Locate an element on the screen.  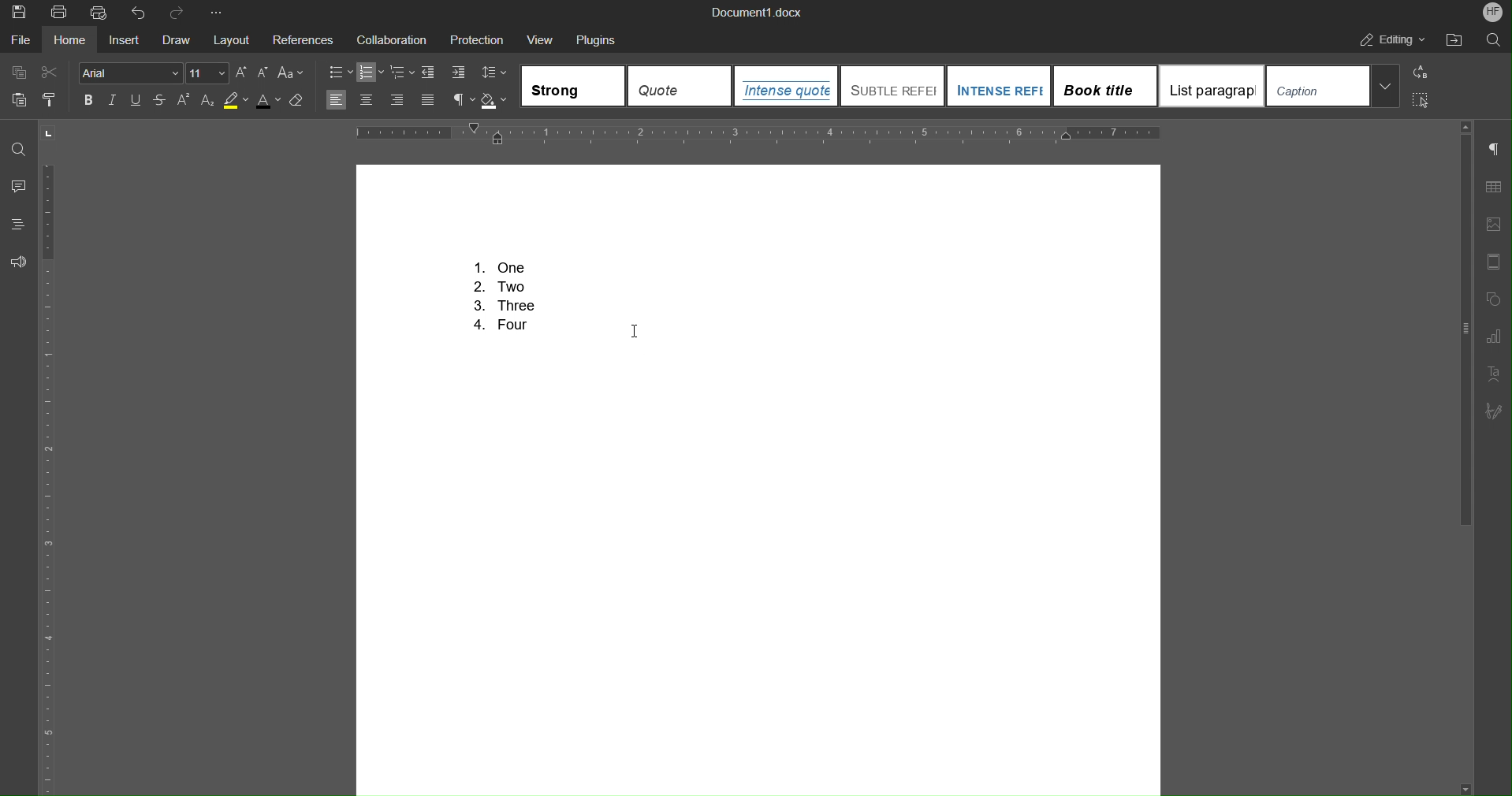
More is located at coordinates (215, 10).